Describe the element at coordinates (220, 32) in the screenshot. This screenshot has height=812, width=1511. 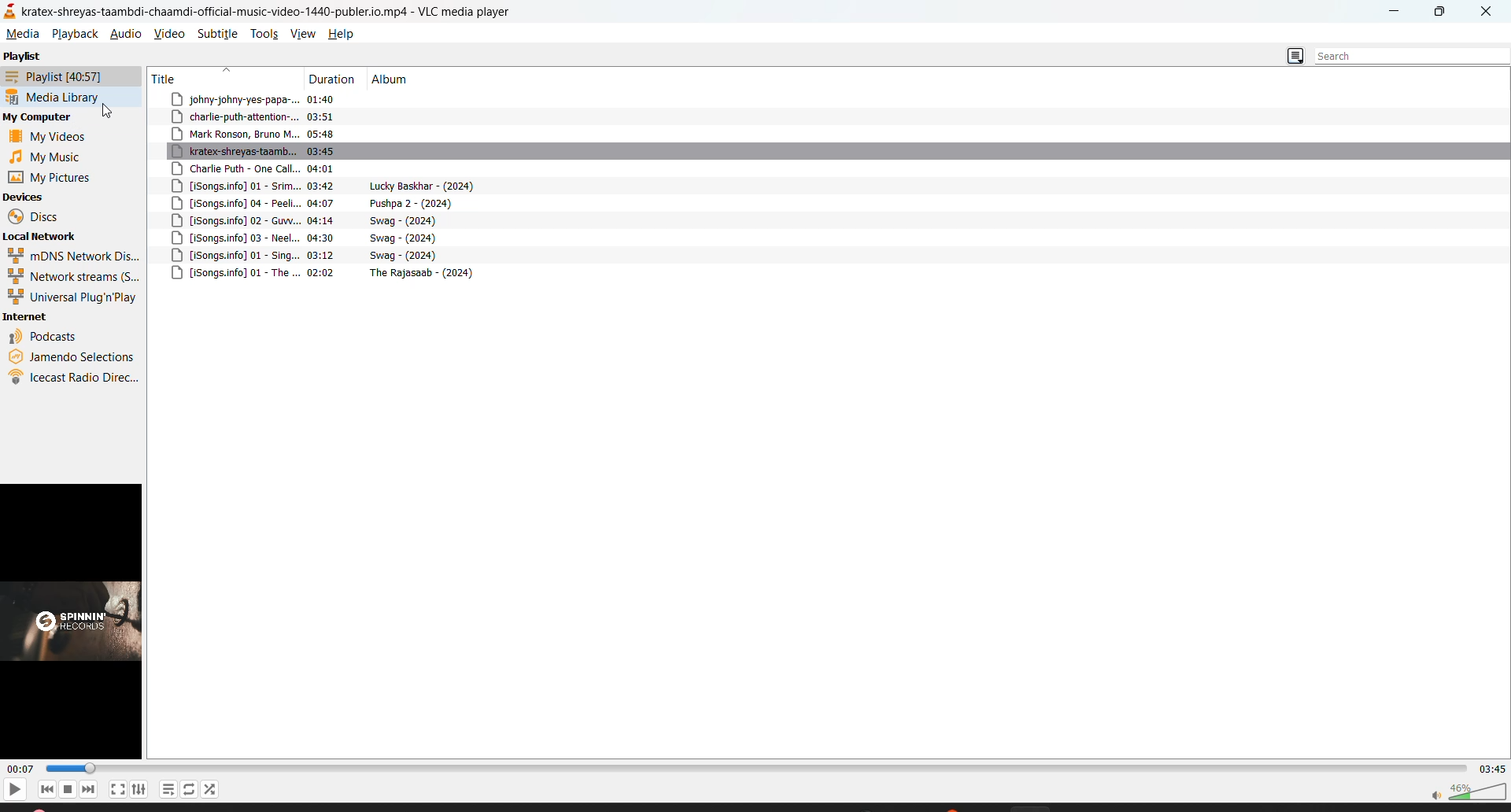
I see `subtitle` at that location.